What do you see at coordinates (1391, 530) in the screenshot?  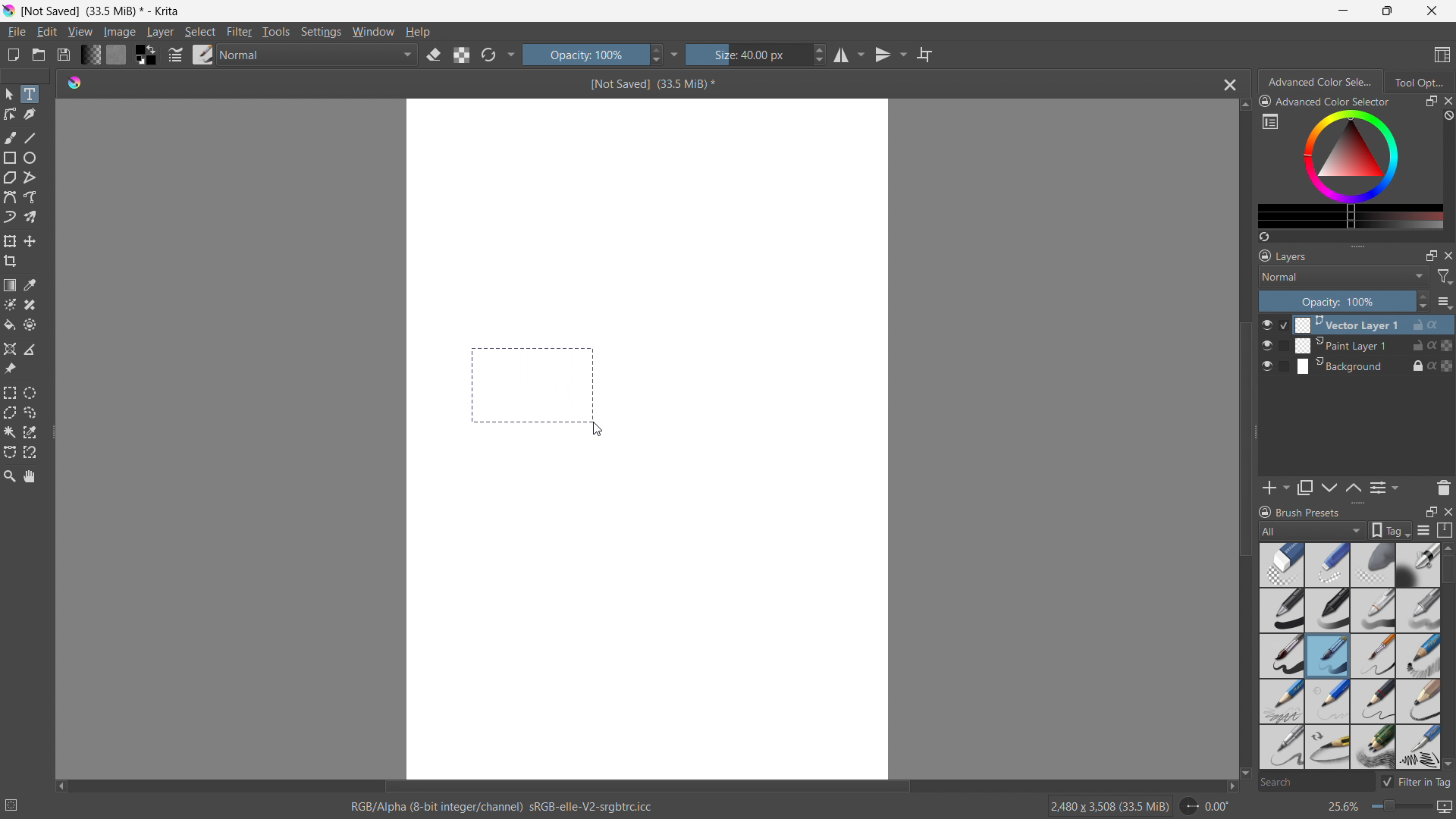 I see `tags` at bounding box center [1391, 530].